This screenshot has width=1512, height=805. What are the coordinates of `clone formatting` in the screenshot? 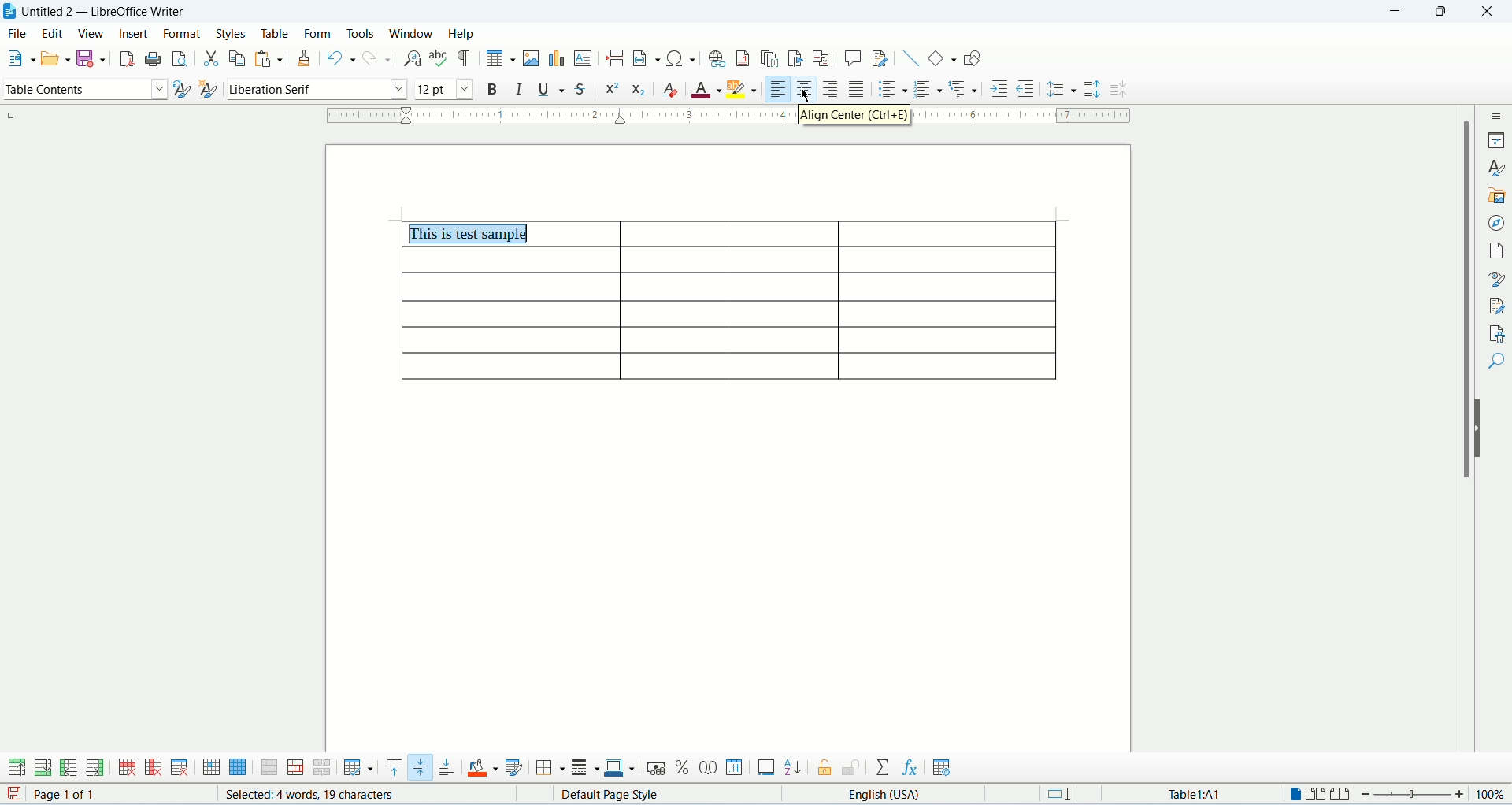 It's located at (306, 57).